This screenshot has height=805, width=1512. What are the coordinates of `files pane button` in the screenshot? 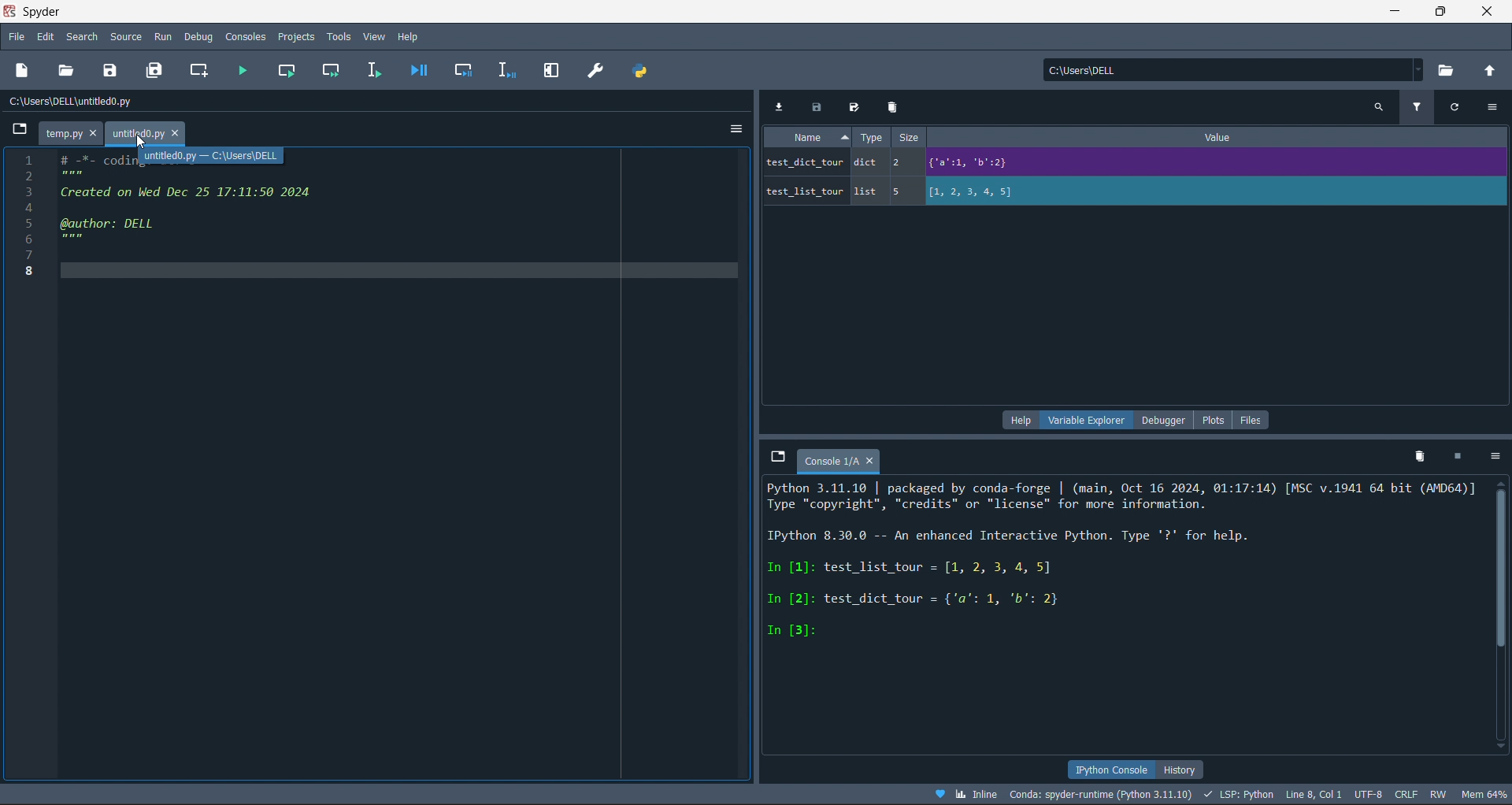 It's located at (1252, 421).